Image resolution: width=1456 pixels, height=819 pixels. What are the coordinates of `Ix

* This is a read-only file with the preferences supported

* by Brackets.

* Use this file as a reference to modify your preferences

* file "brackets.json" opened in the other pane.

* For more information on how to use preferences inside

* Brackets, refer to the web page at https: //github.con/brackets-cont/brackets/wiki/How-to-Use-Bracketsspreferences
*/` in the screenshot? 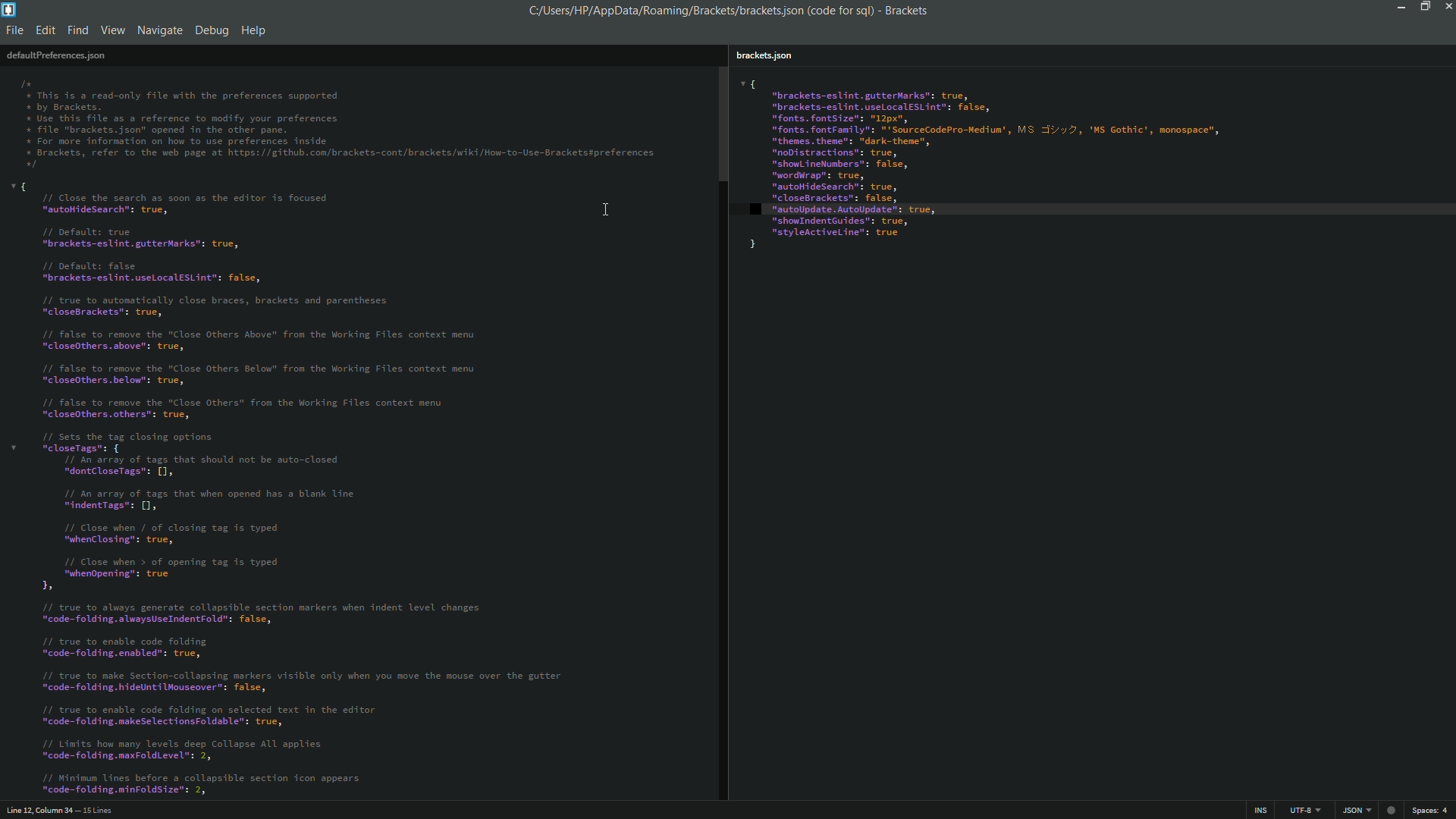 It's located at (345, 121).